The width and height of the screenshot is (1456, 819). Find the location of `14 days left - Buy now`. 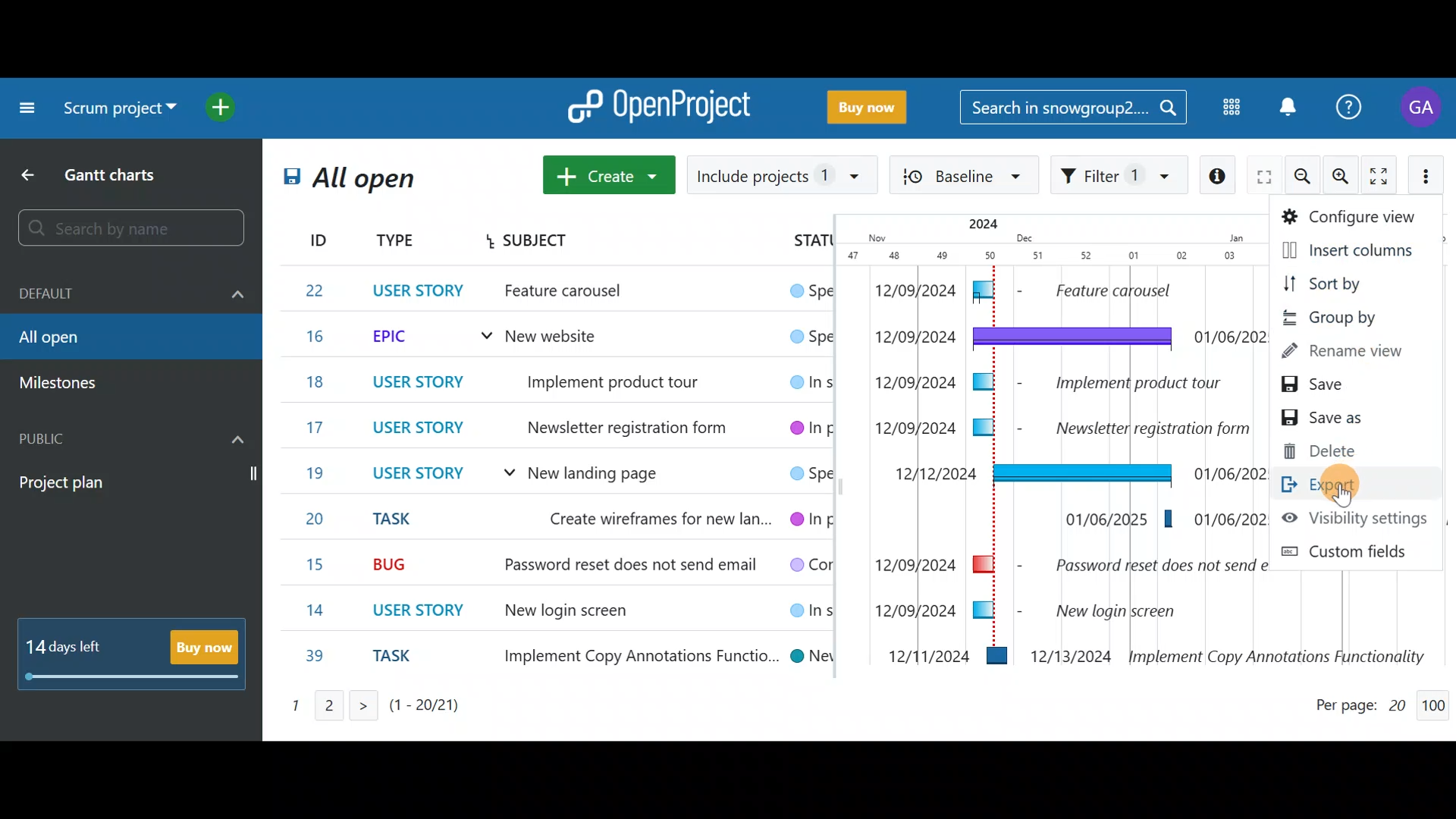

14 days left - Buy now is located at coordinates (133, 654).